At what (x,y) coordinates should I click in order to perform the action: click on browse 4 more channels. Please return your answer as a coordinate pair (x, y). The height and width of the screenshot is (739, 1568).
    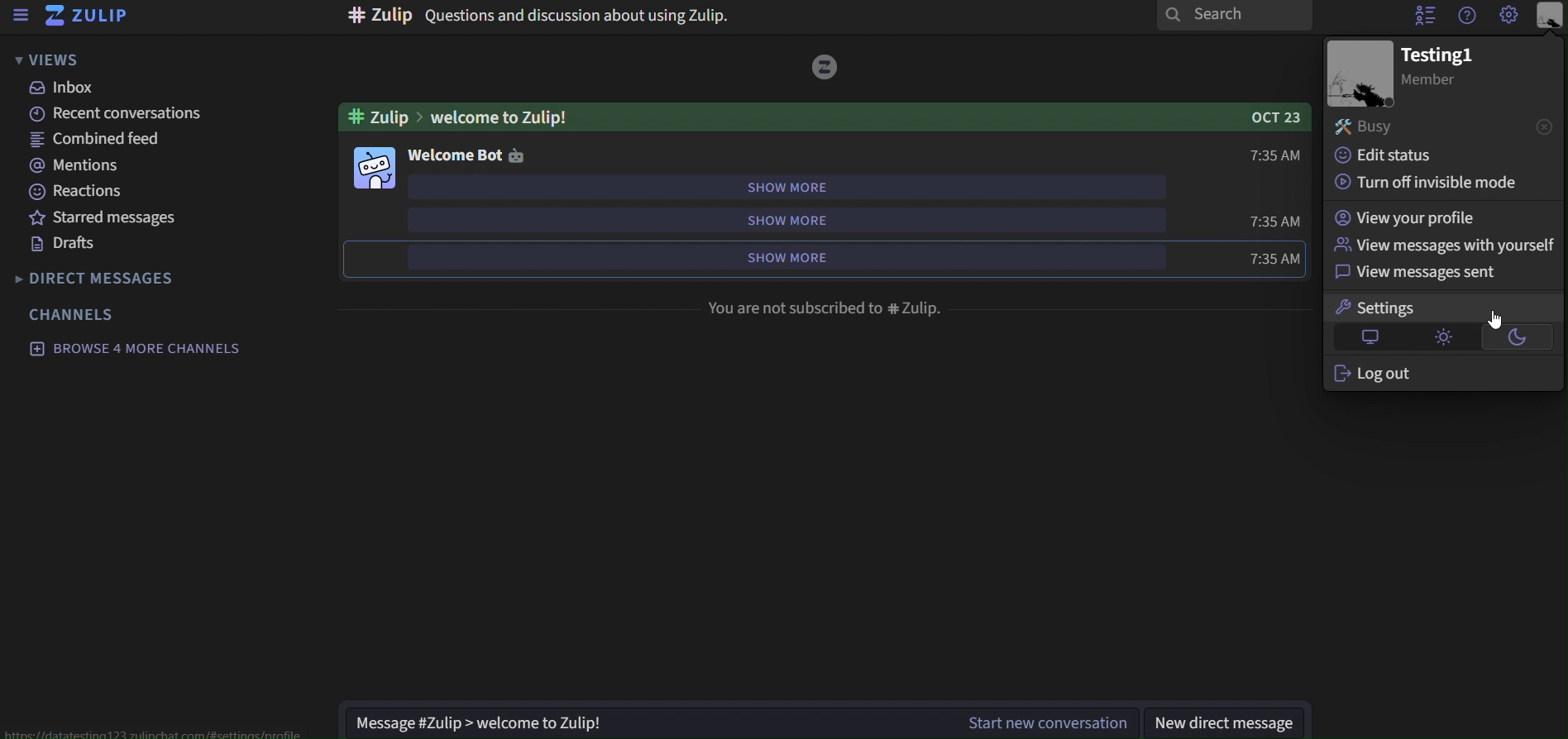
    Looking at the image, I should click on (138, 348).